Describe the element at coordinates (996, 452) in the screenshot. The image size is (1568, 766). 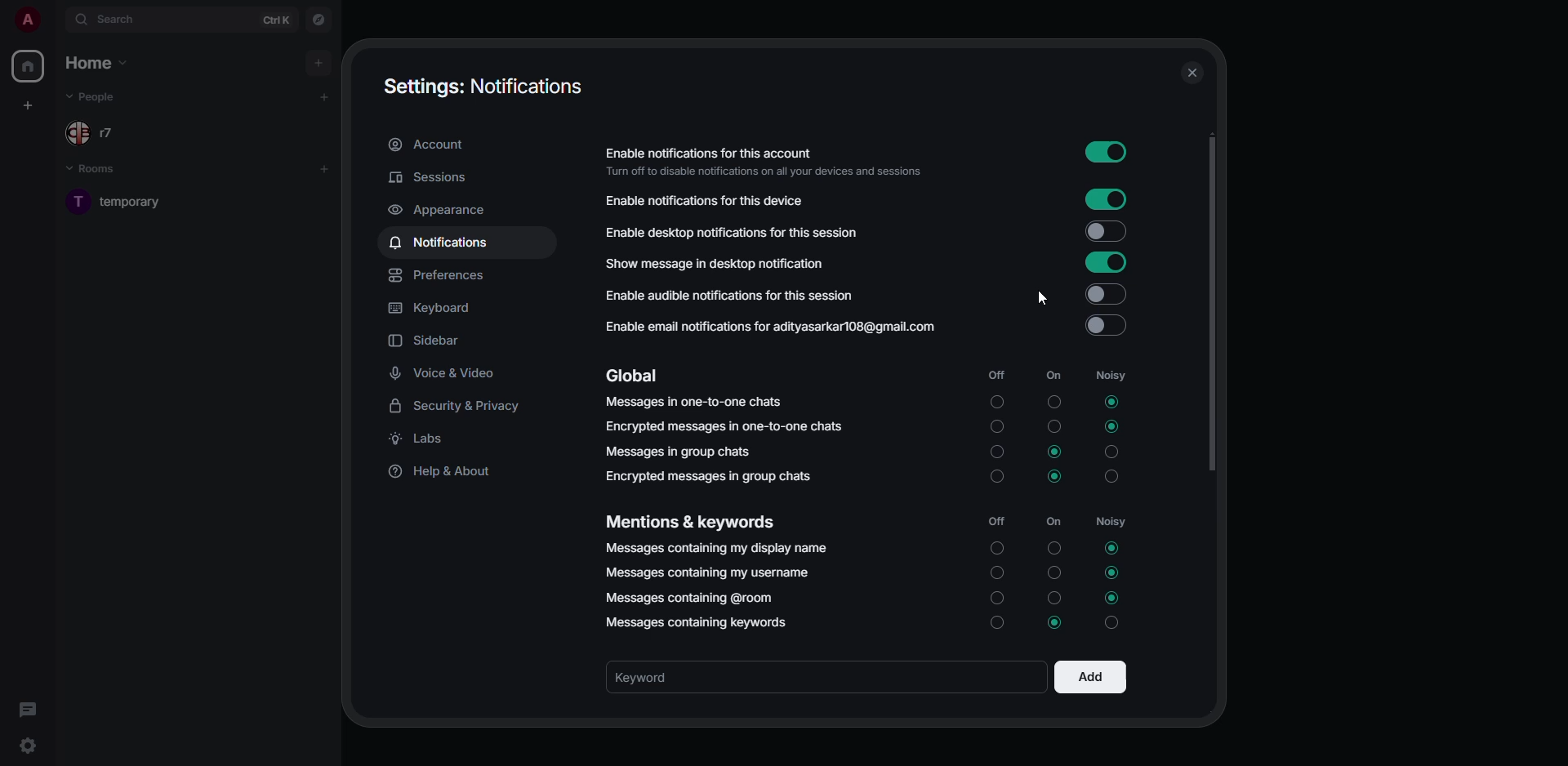
I see `Off Unselected` at that location.